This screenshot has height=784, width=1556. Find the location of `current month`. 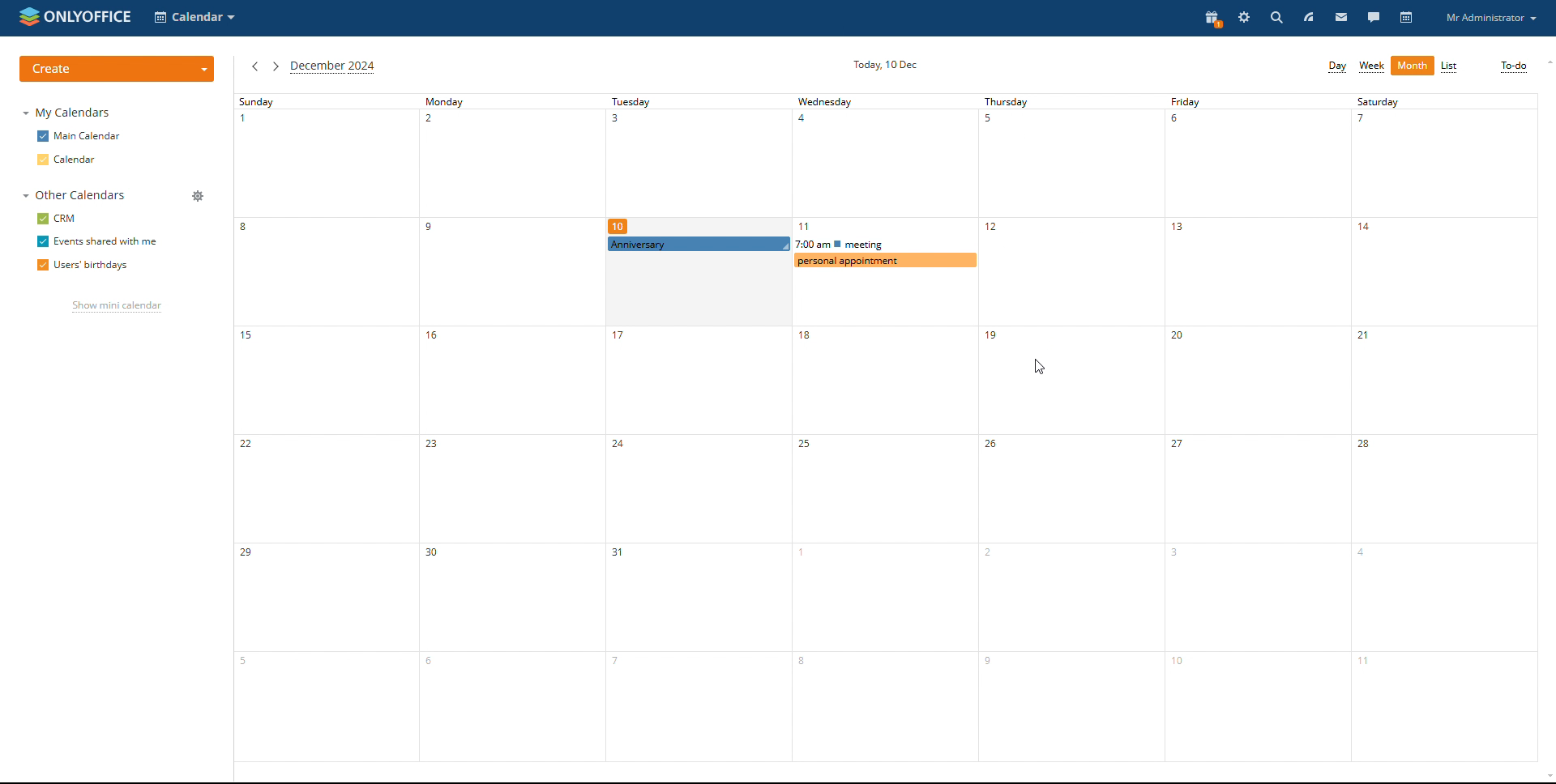

current month is located at coordinates (333, 67).